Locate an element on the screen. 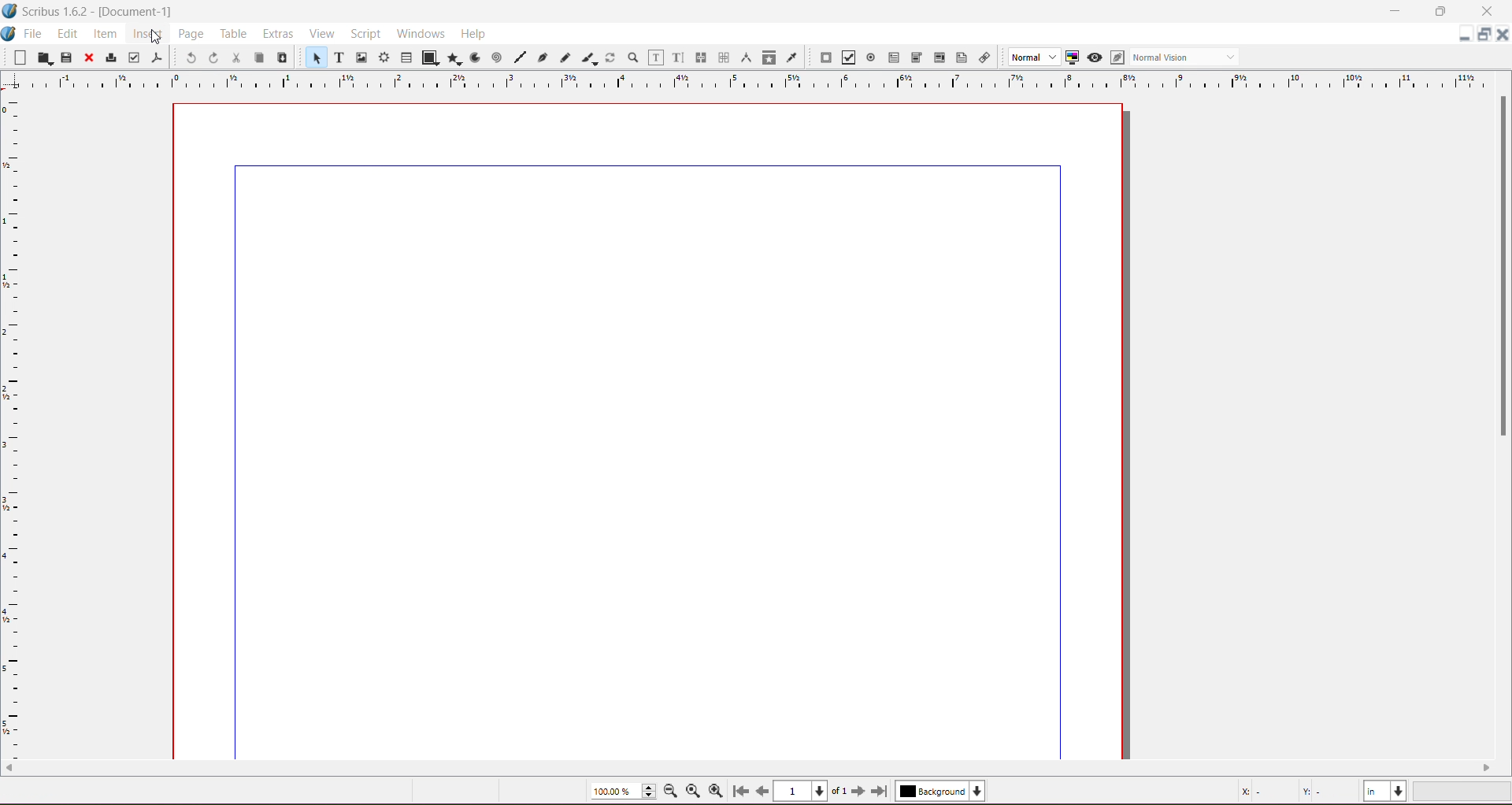  Link Annotations is located at coordinates (986, 58).